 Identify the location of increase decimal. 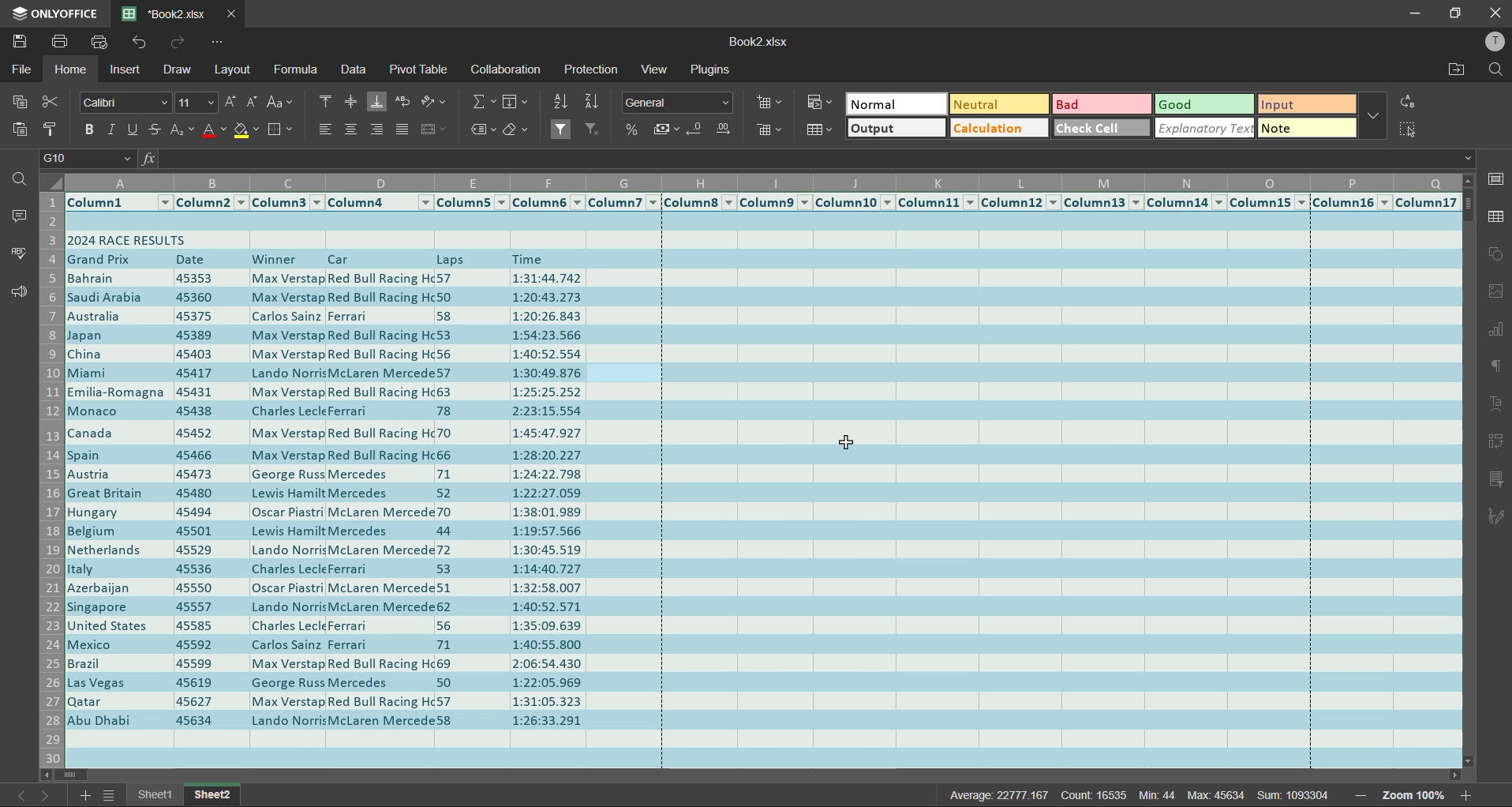
(725, 131).